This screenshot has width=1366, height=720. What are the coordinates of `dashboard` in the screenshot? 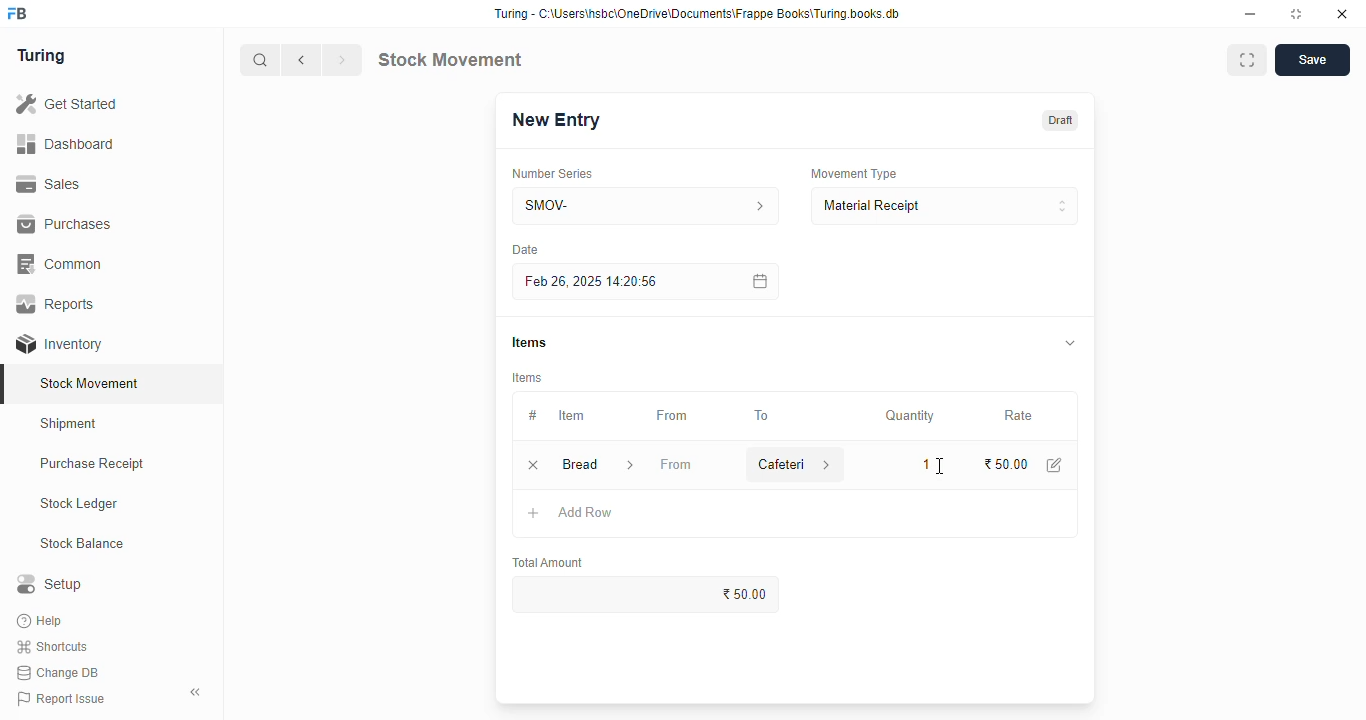 It's located at (65, 145).